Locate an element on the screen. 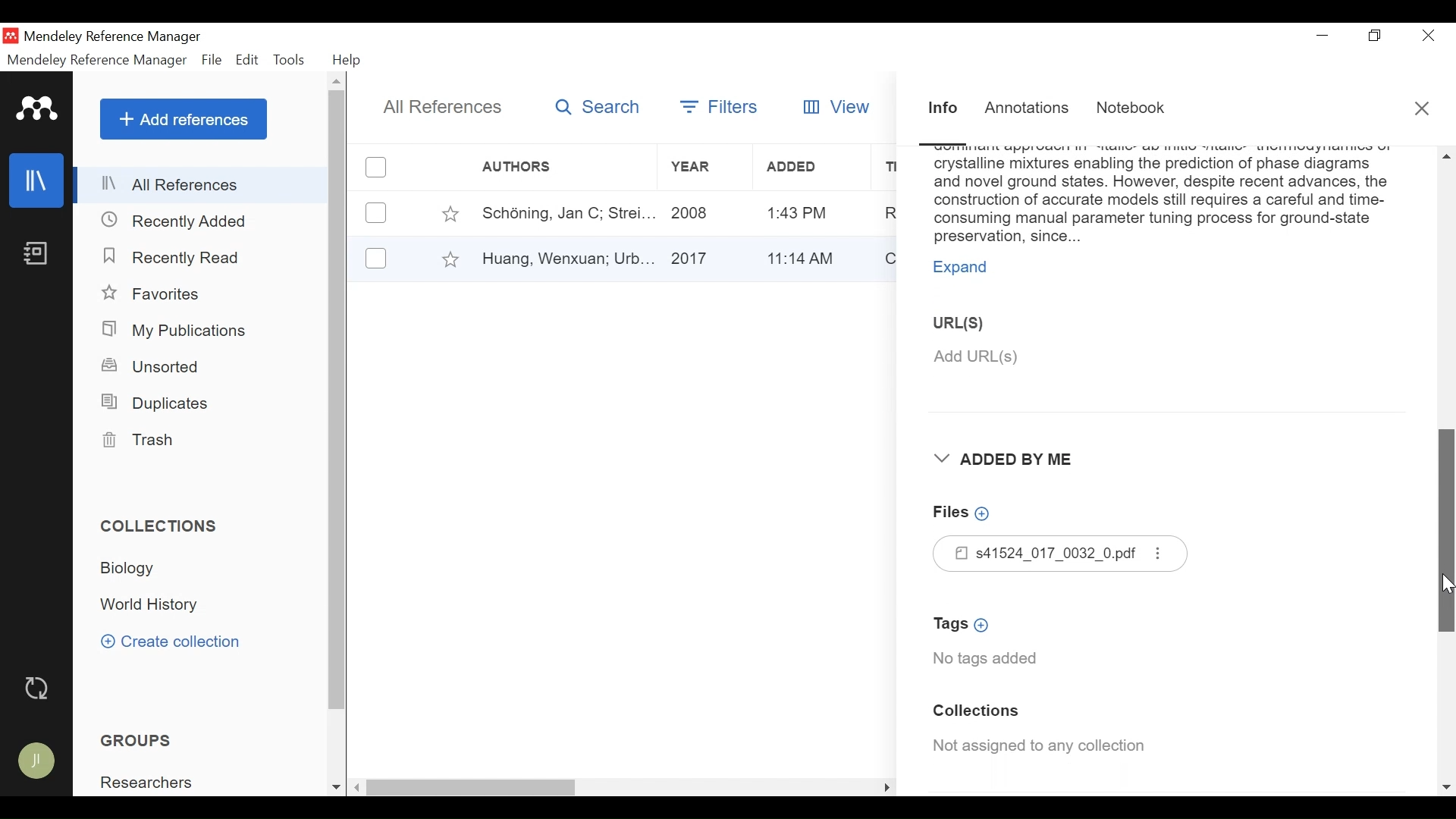 Image resolution: width=1456 pixels, height=819 pixels. Notebook is located at coordinates (36, 253).